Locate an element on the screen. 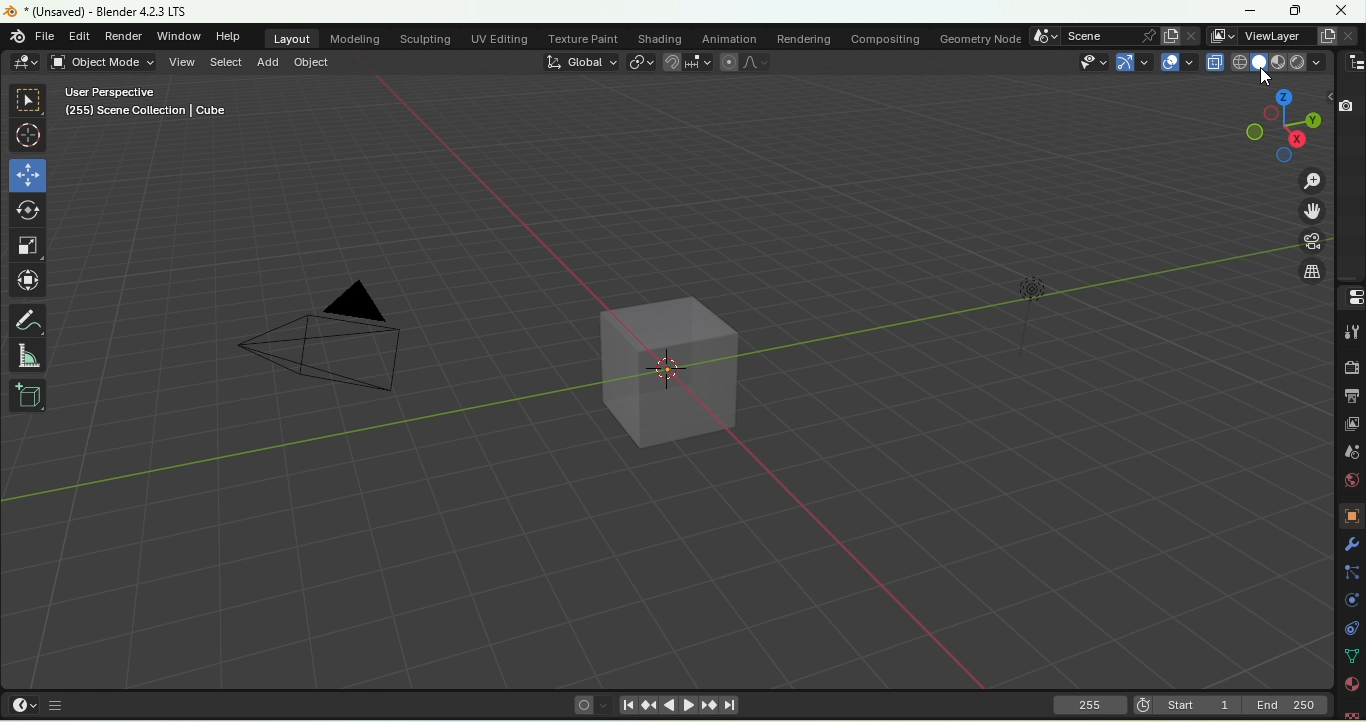  View is located at coordinates (182, 63).